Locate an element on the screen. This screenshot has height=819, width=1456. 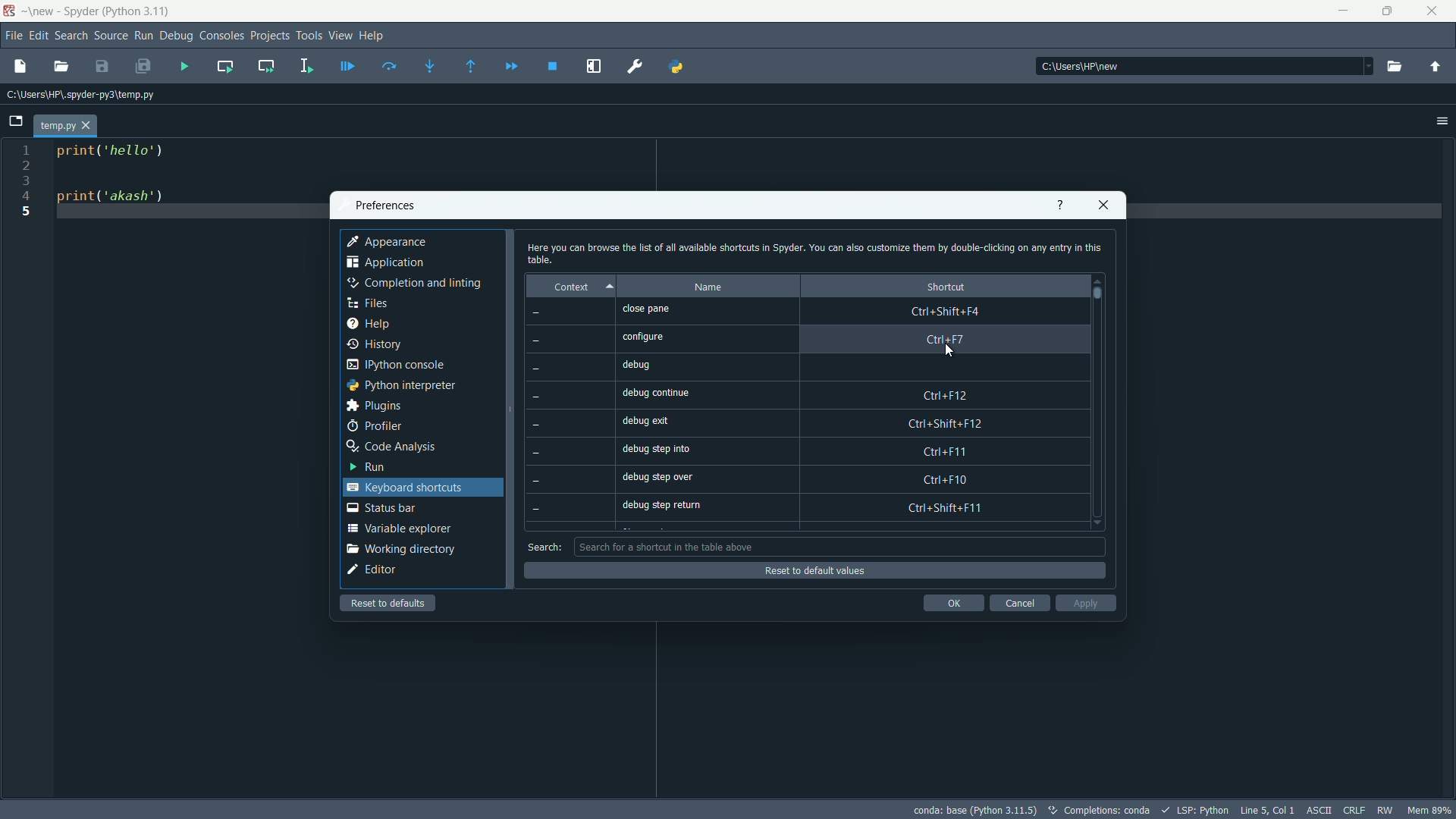
text - Here you can browse the list of all available shortcuts in Spyder. You can also customize them by double-clicking on any entry in this table. is located at coordinates (813, 253).